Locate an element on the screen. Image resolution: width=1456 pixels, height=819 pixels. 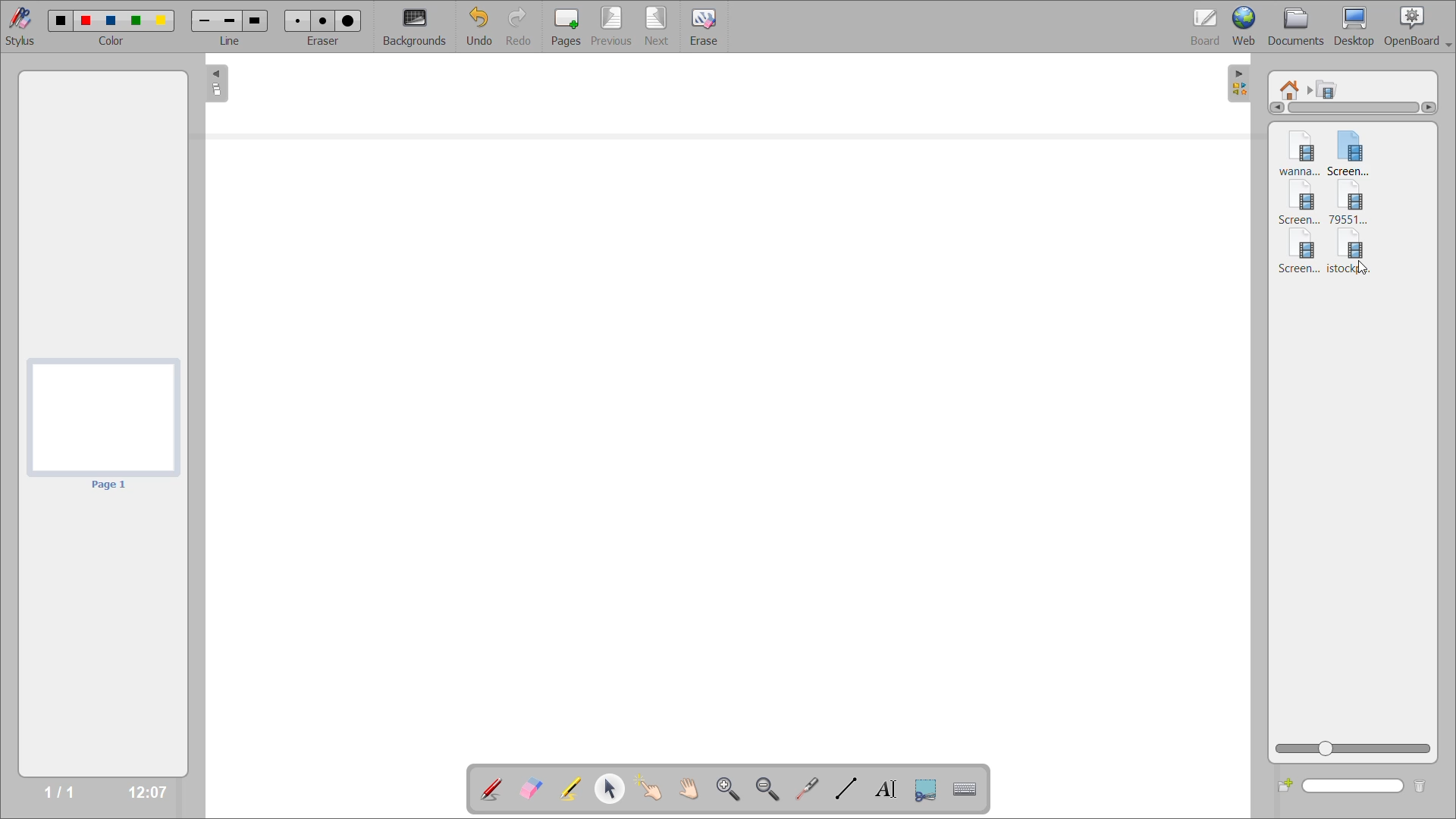
collapse is located at coordinates (215, 86).